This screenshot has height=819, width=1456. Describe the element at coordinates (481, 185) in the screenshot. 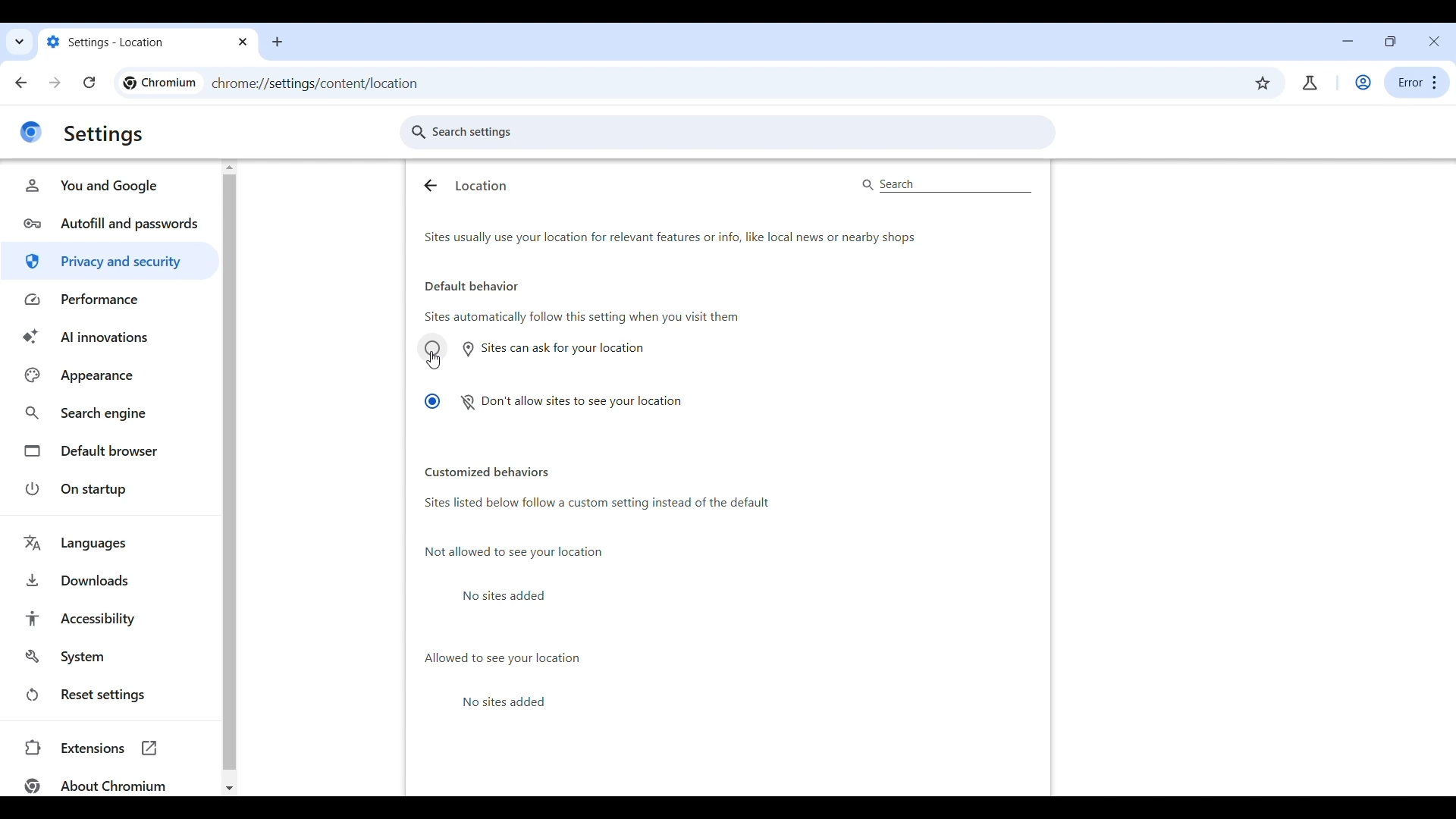

I see `location` at that location.